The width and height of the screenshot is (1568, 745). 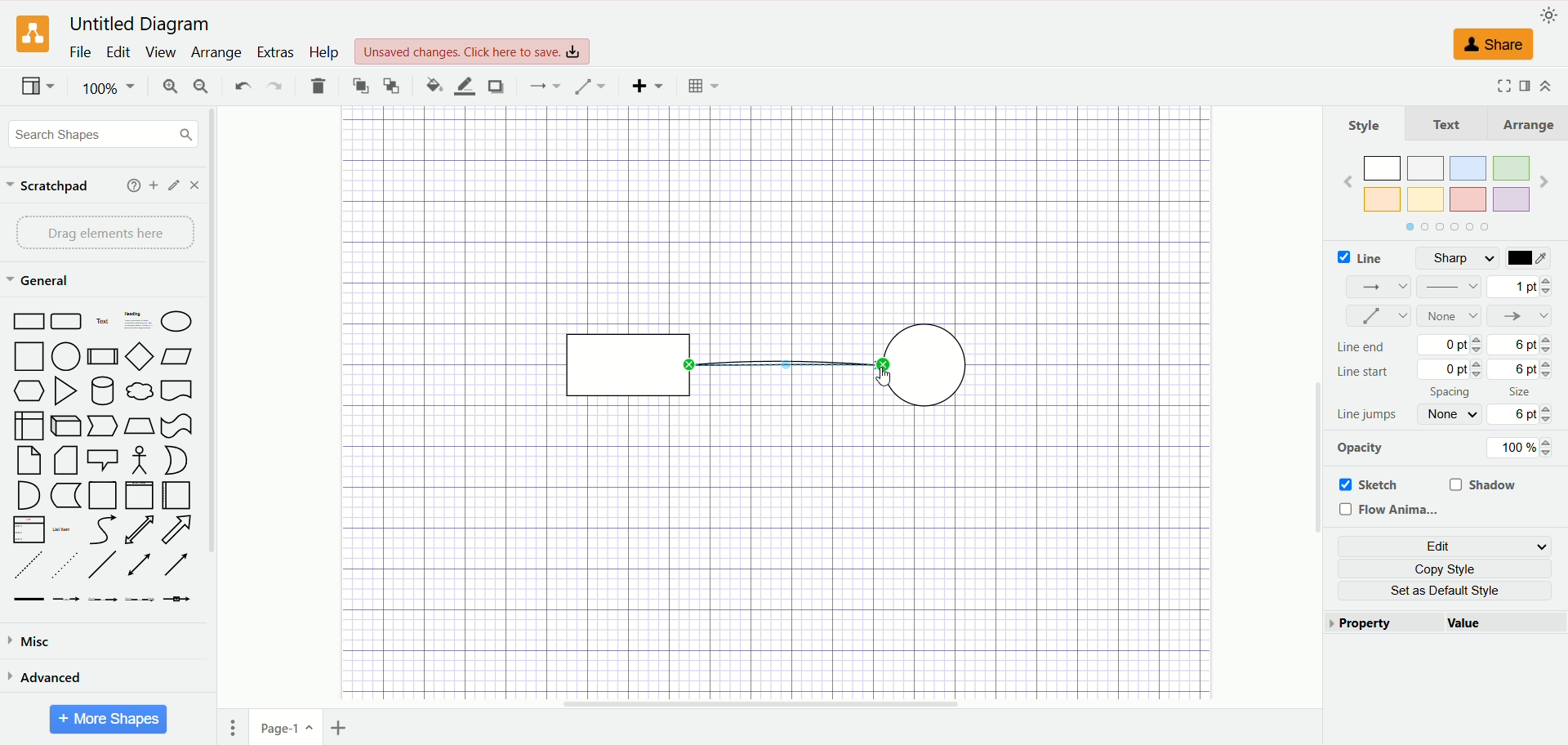 What do you see at coordinates (174, 183) in the screenshot?
I see `edit` at bounding box center [174, 183].